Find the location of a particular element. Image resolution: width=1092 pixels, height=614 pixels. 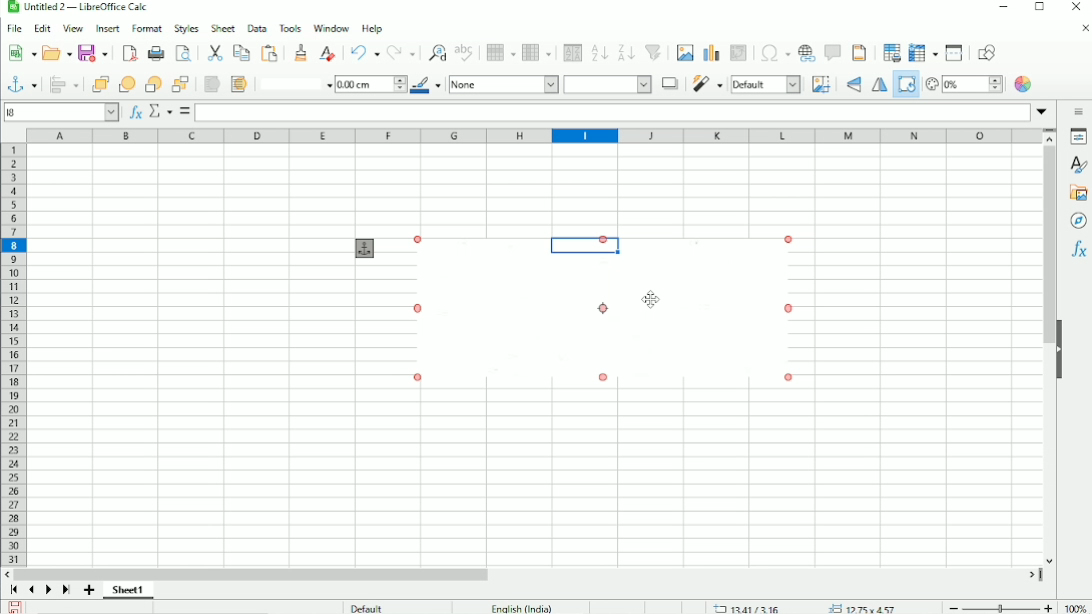

Spell check is located at coordinates (466, 52).